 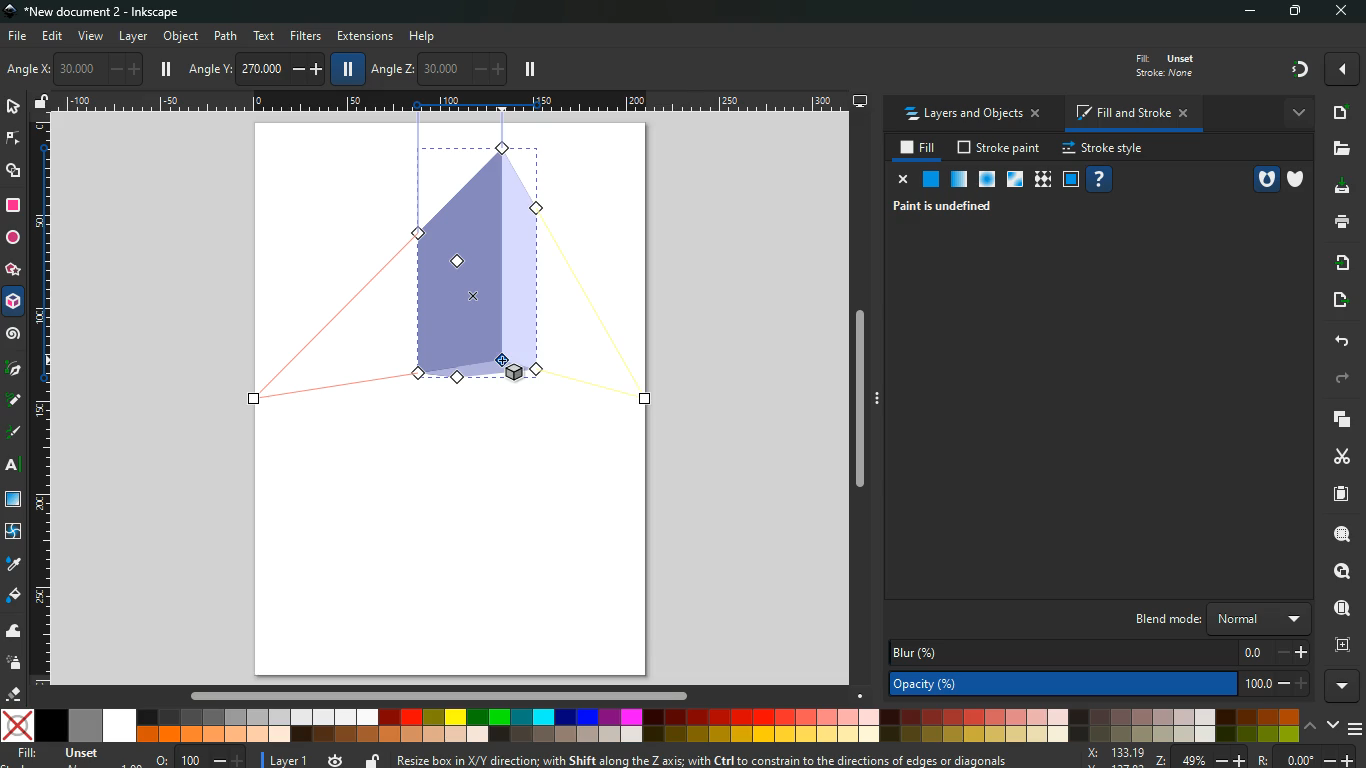 What do you see at coordinates (1336, 418) in the screenshot?
I see `layers` at bounding box center [1336, 418].